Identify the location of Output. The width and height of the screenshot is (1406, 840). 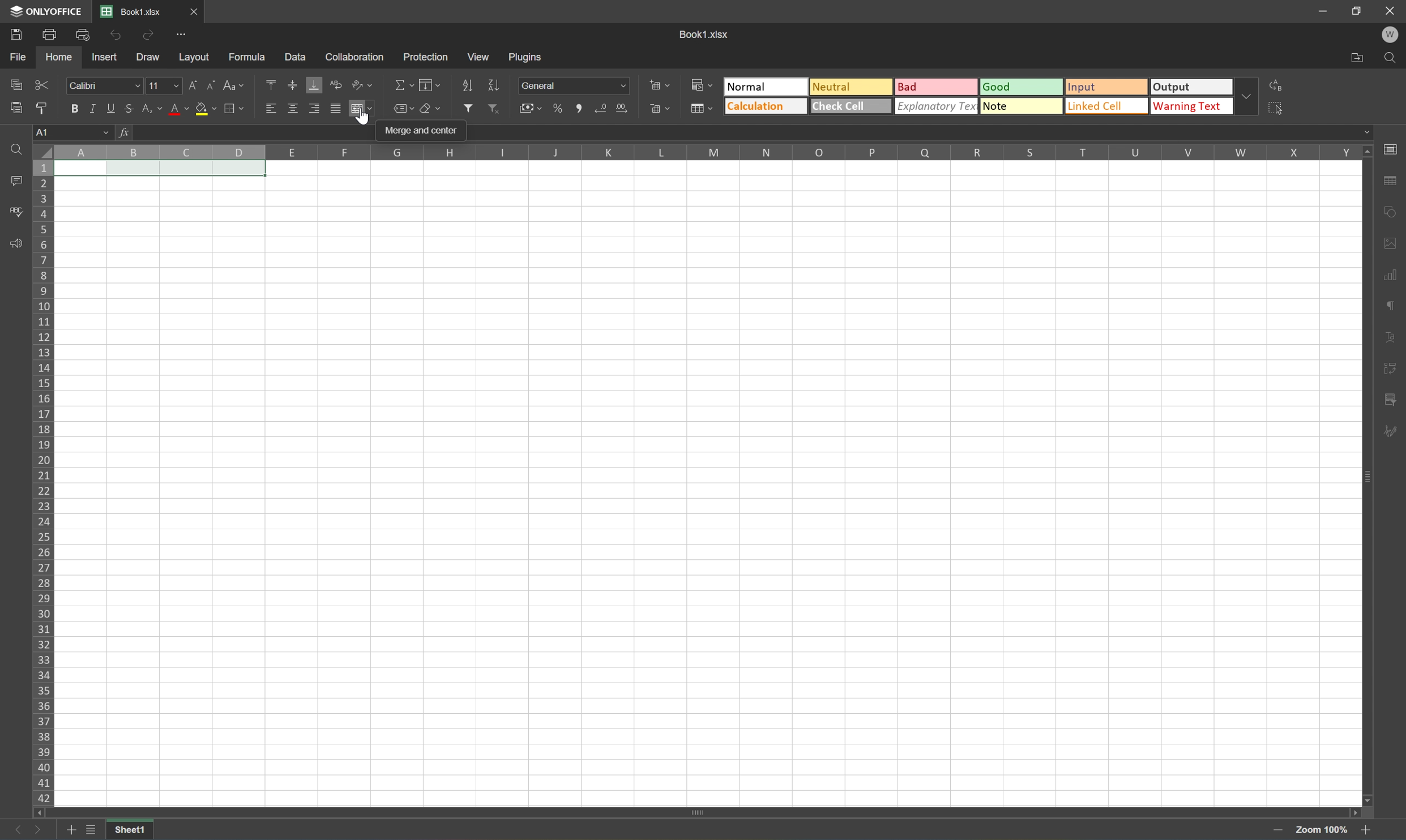
(1195, 87).